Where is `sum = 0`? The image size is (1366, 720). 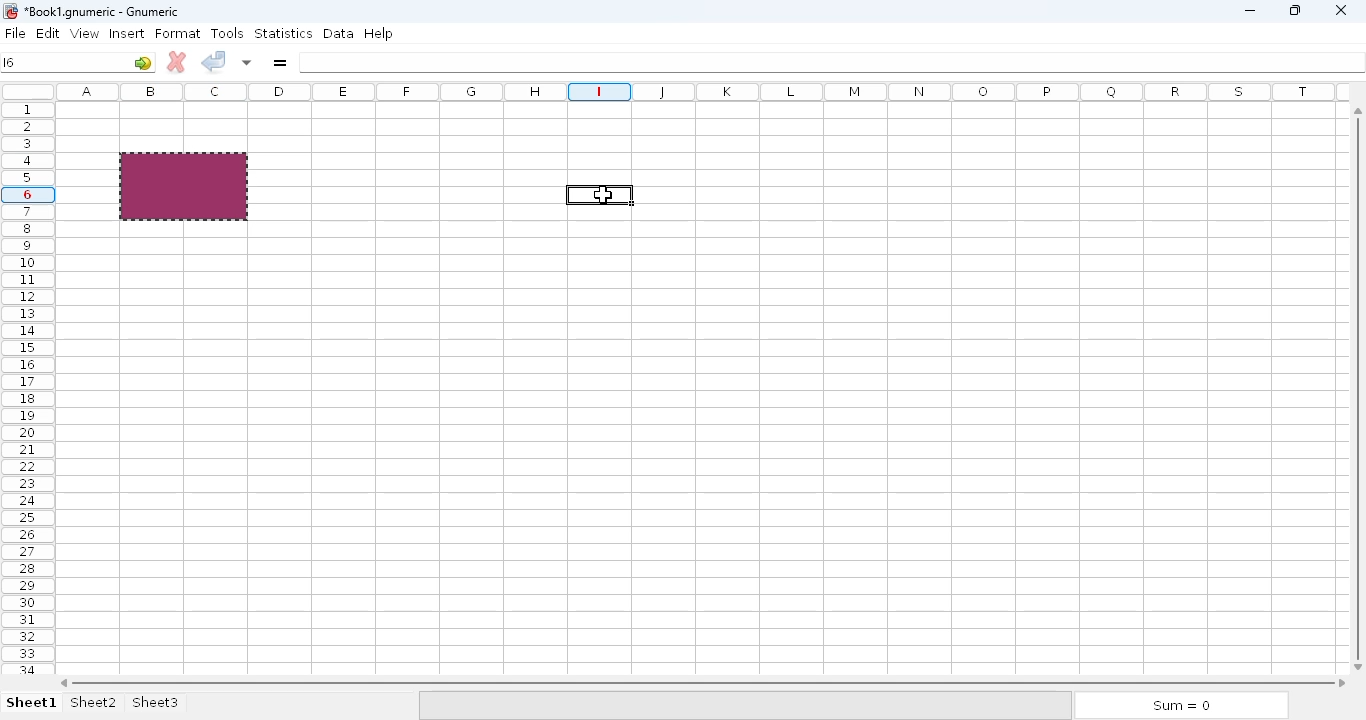 sum = 0 is located at coordinates (1179, 706).